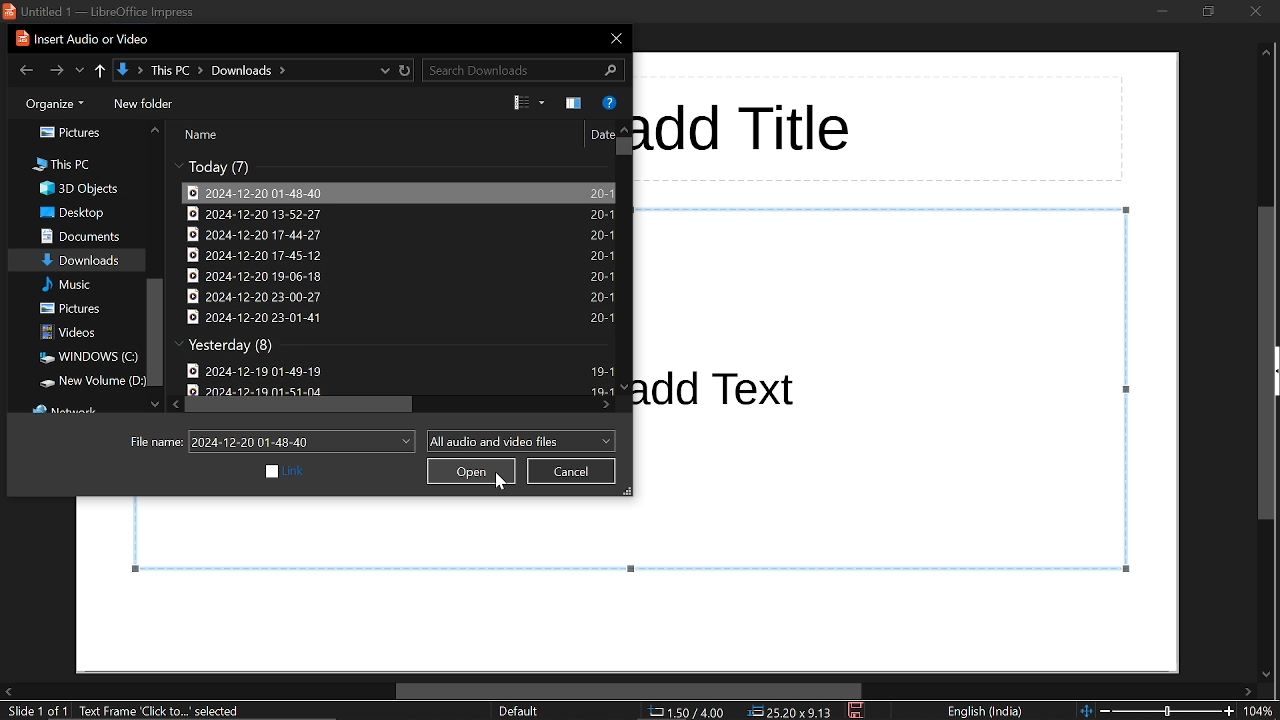 This screenshot has width=1280, height=720. What do you see at coordinates (624, 128) in the screenshot?
I see `move up` at bounding box center [624, 128].